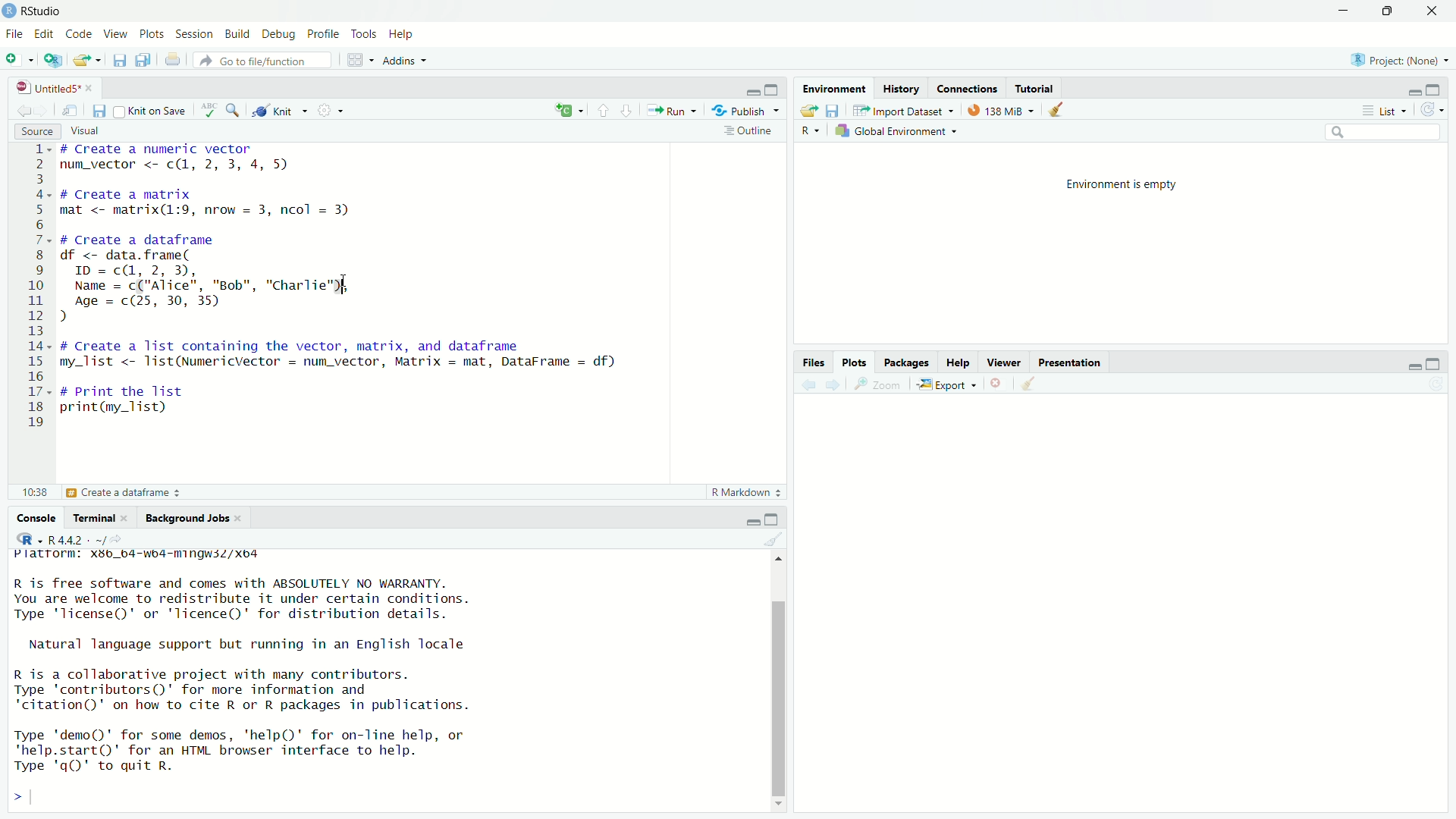  Describe the element at coordinates (240, 33) in the screenshot. I see `Build` at that location.